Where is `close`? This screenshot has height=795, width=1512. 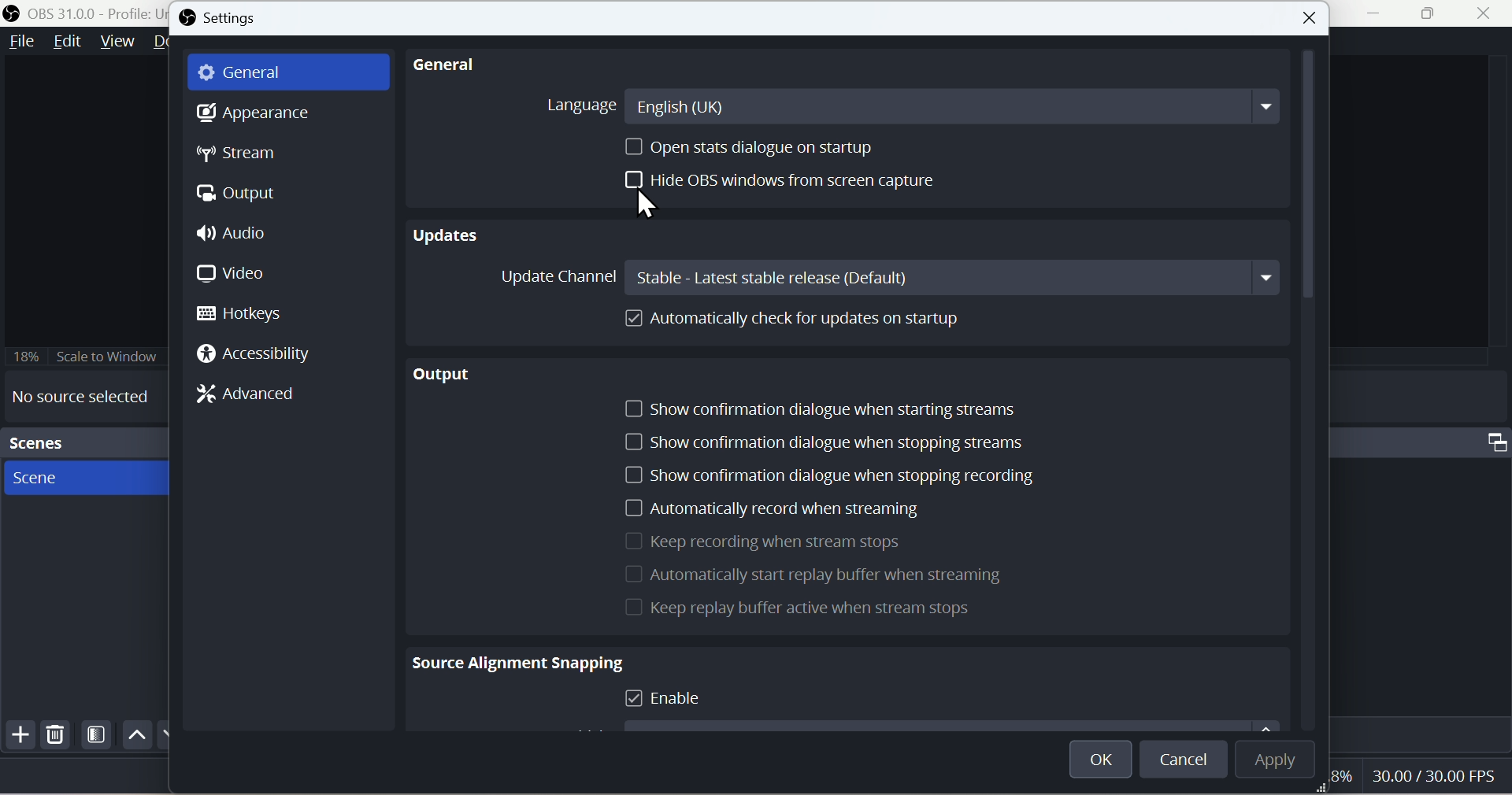
close is located at coordinates (1307, 17).